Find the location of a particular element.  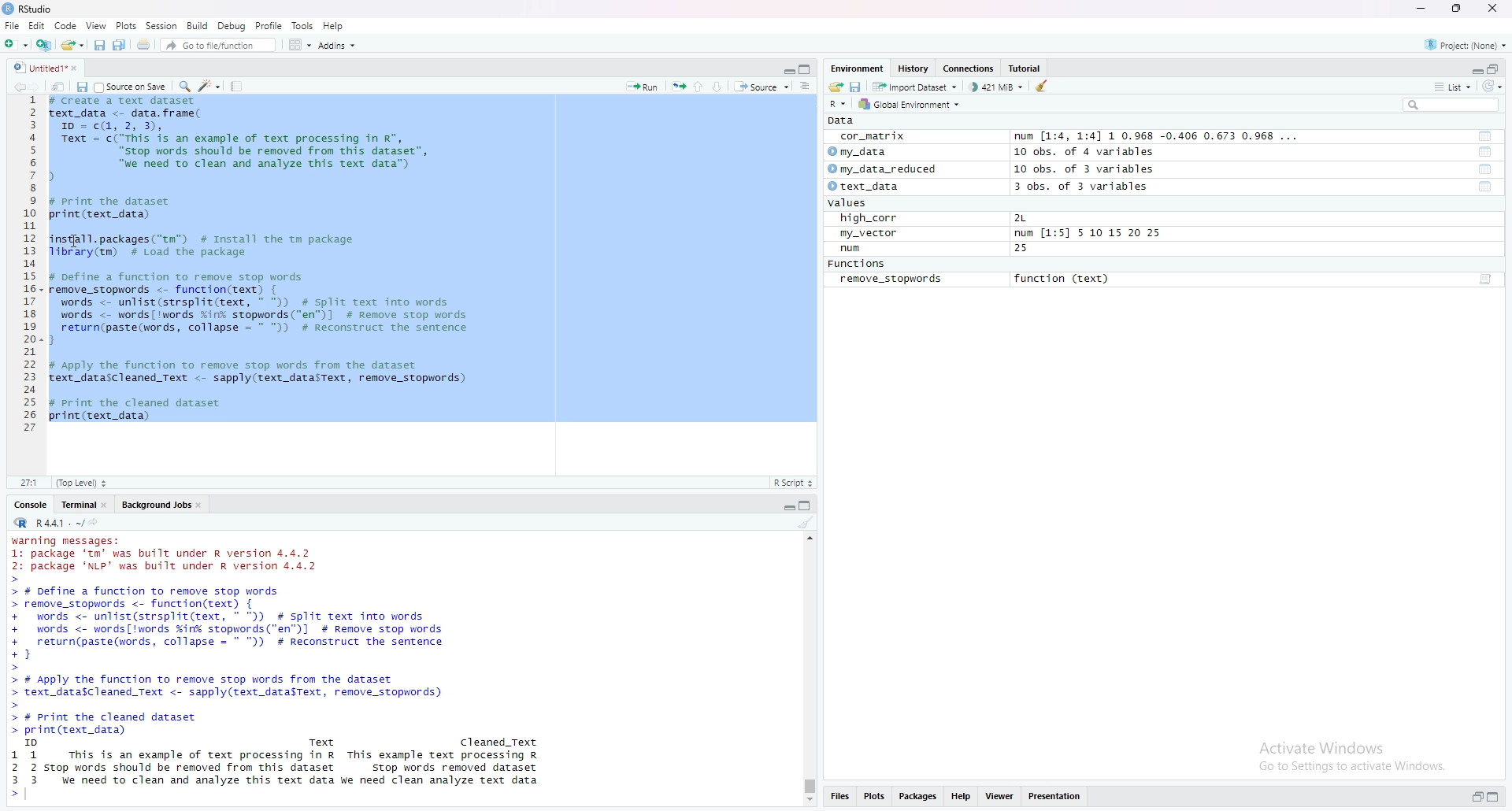

minimize is located at coordinates (1420, 8).